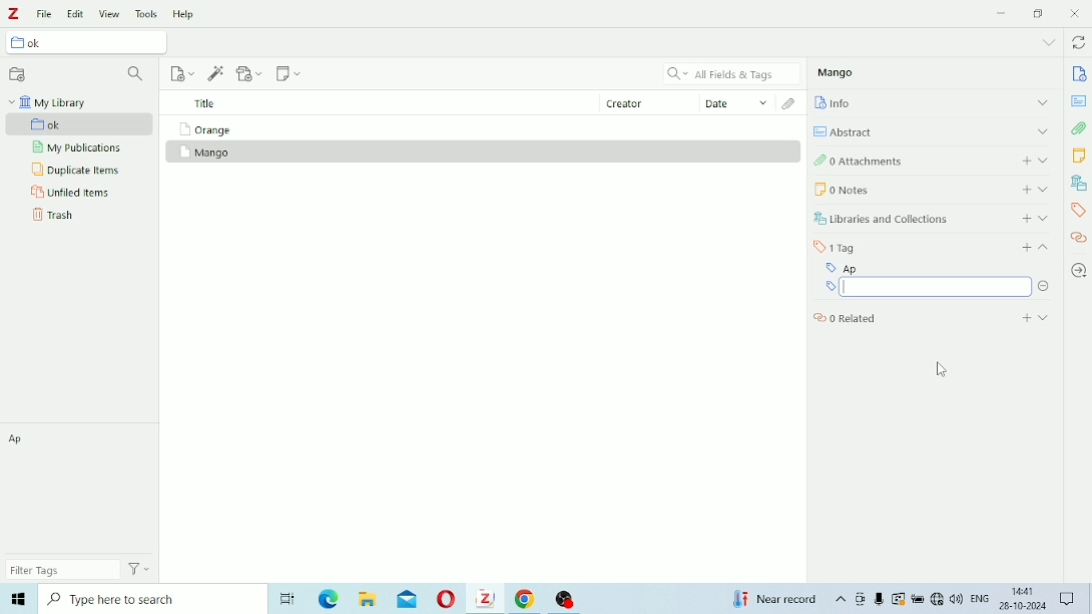  What do you see at coordinates (152, 599) in the screenshot?
I see `Type here to search` at bounding box center [152, 599].